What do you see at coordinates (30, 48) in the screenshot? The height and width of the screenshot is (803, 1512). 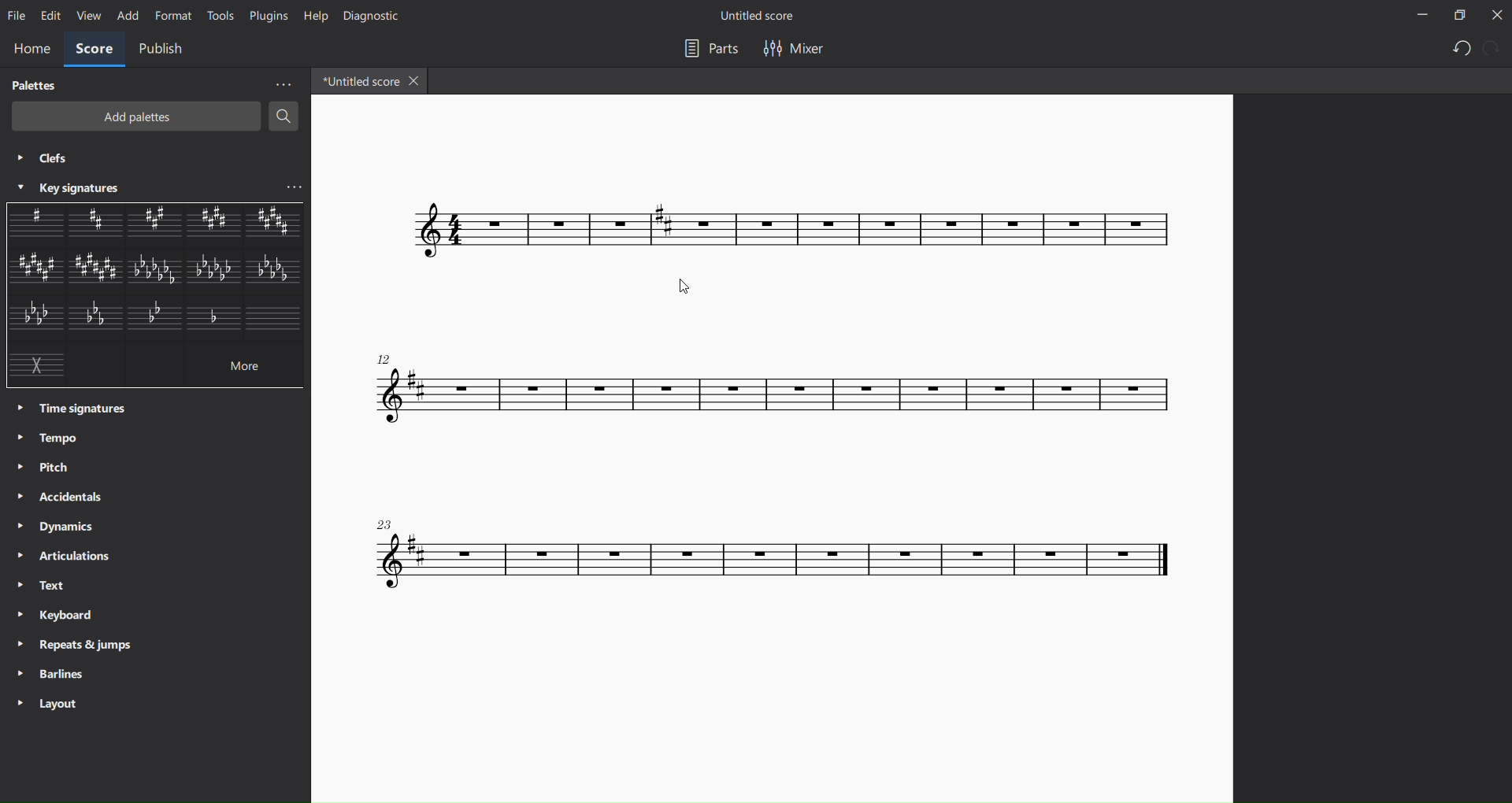 I see `home` at bounding box center [30, 48].